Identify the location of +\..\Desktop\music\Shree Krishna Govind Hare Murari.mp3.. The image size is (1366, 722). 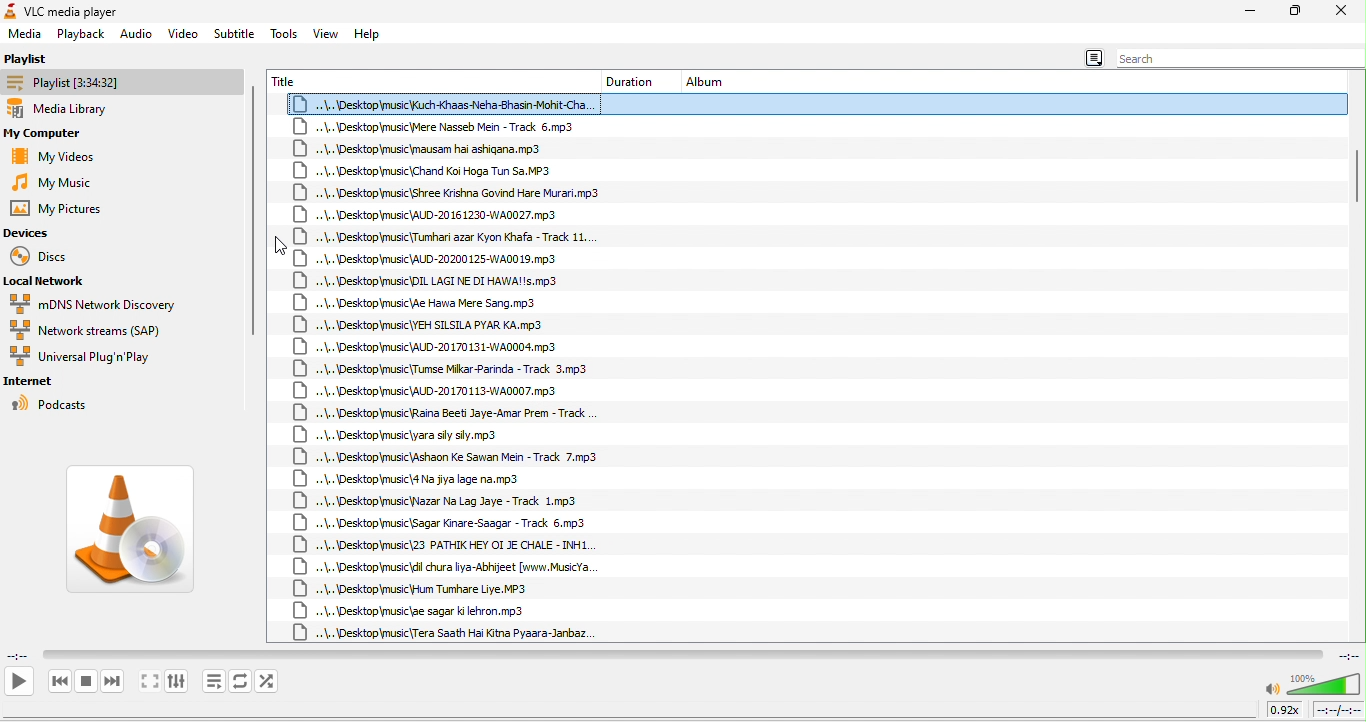
(449, 192).